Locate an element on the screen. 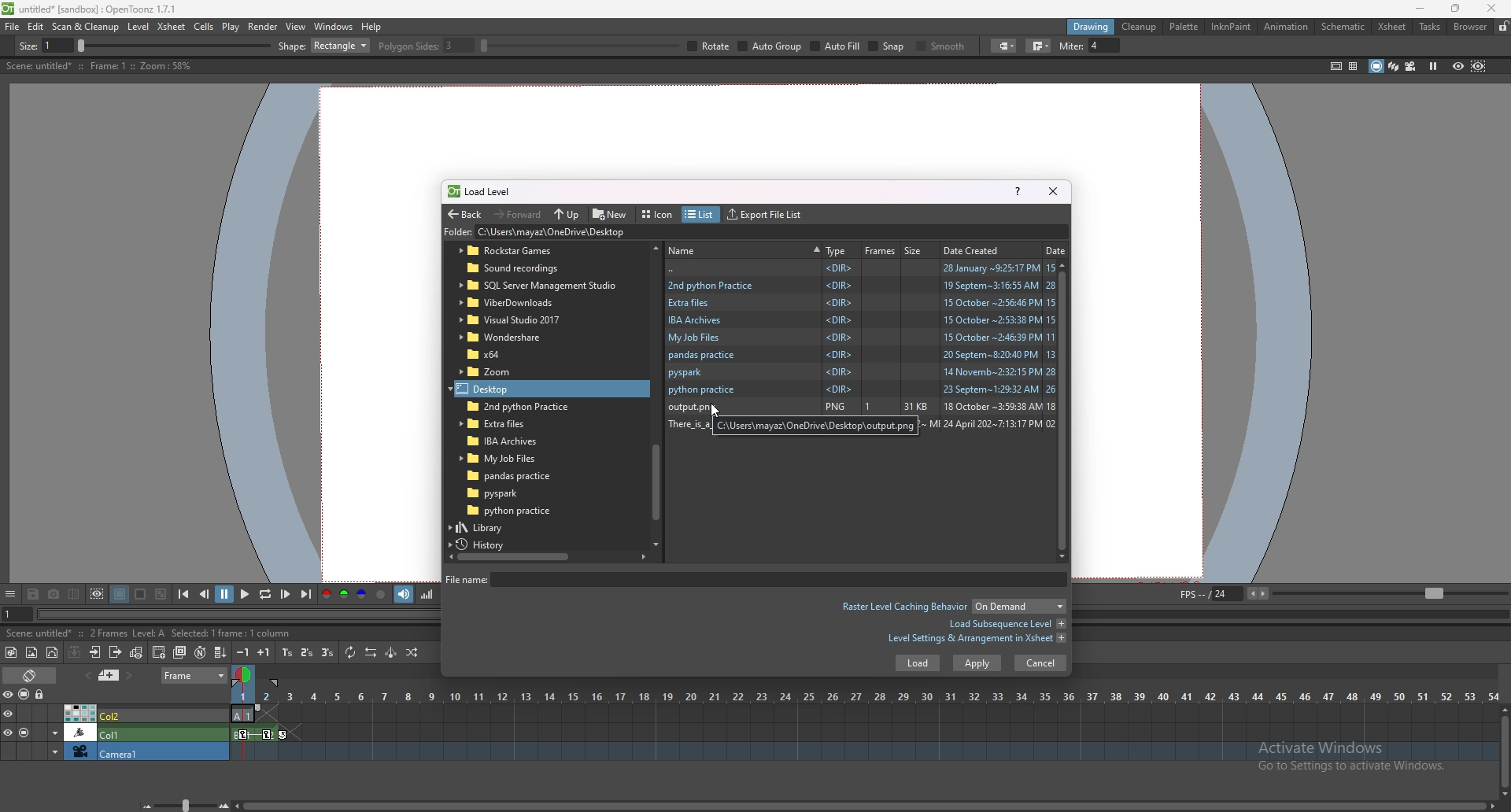 This screenshot has width=1511, height=812. folder is located at coordinates (501, 372).